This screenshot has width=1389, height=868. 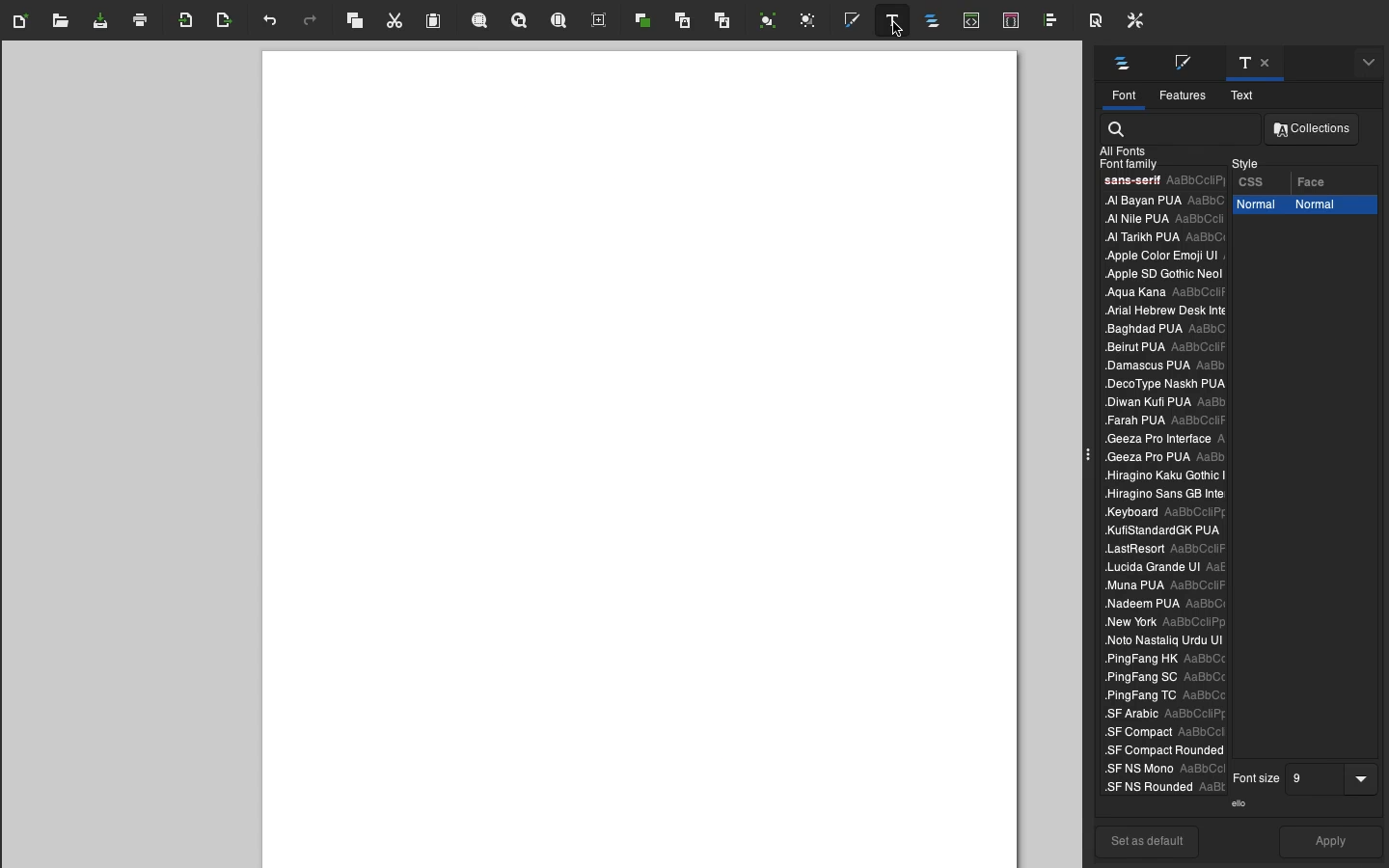 I want to click on .Damasous PUA, so click(x=1162, y=364).